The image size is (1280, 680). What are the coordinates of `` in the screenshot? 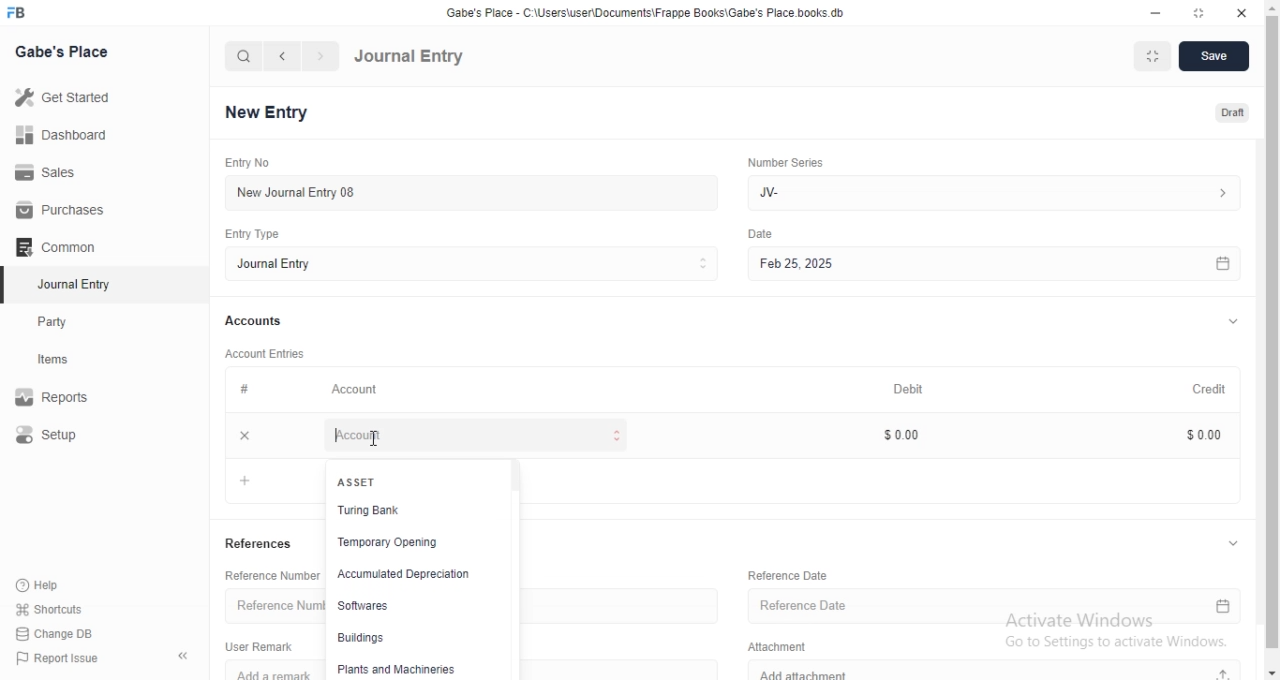 It's located at (768, 234).